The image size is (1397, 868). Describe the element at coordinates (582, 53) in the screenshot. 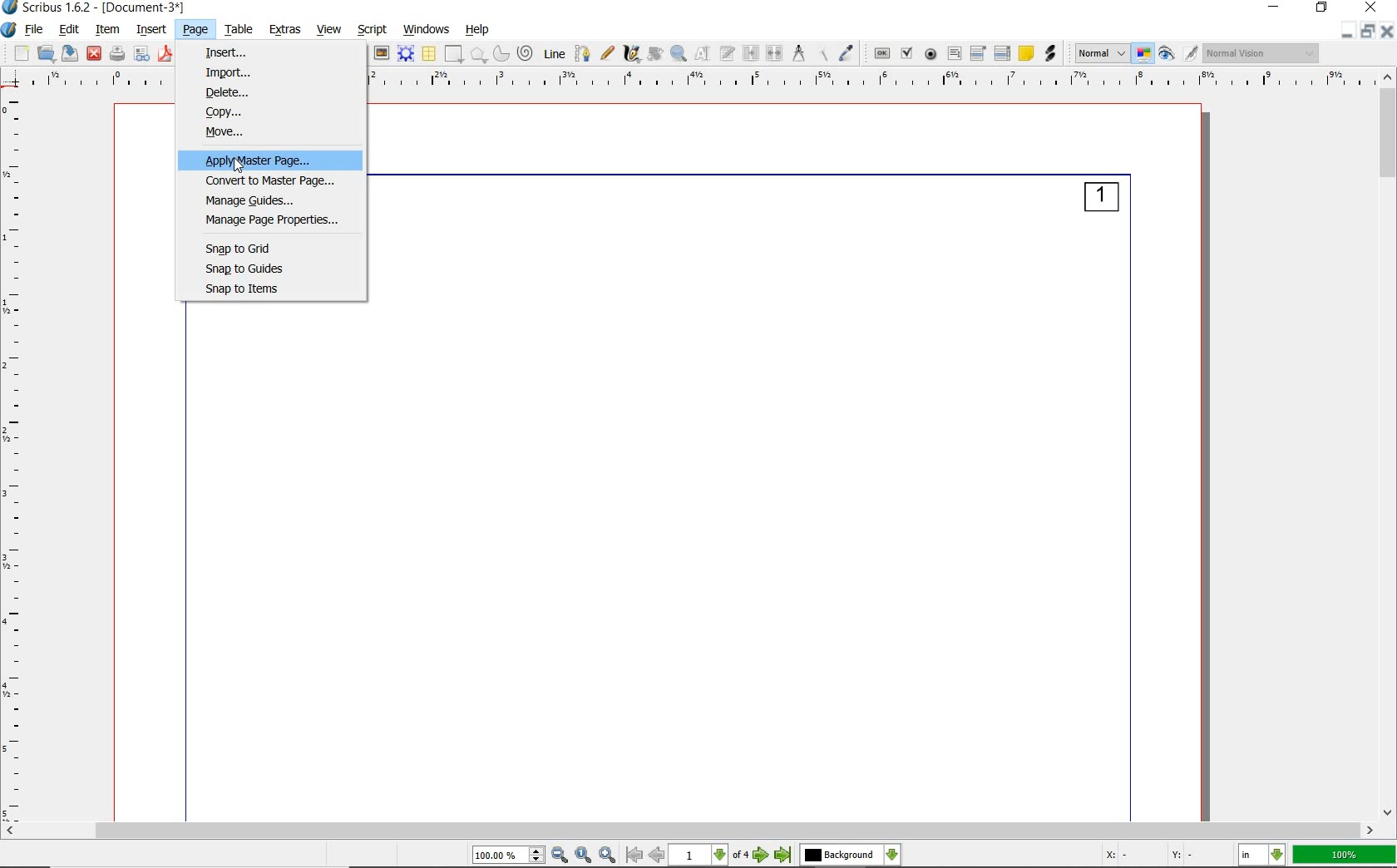

I see `Bezier curve` at that location.